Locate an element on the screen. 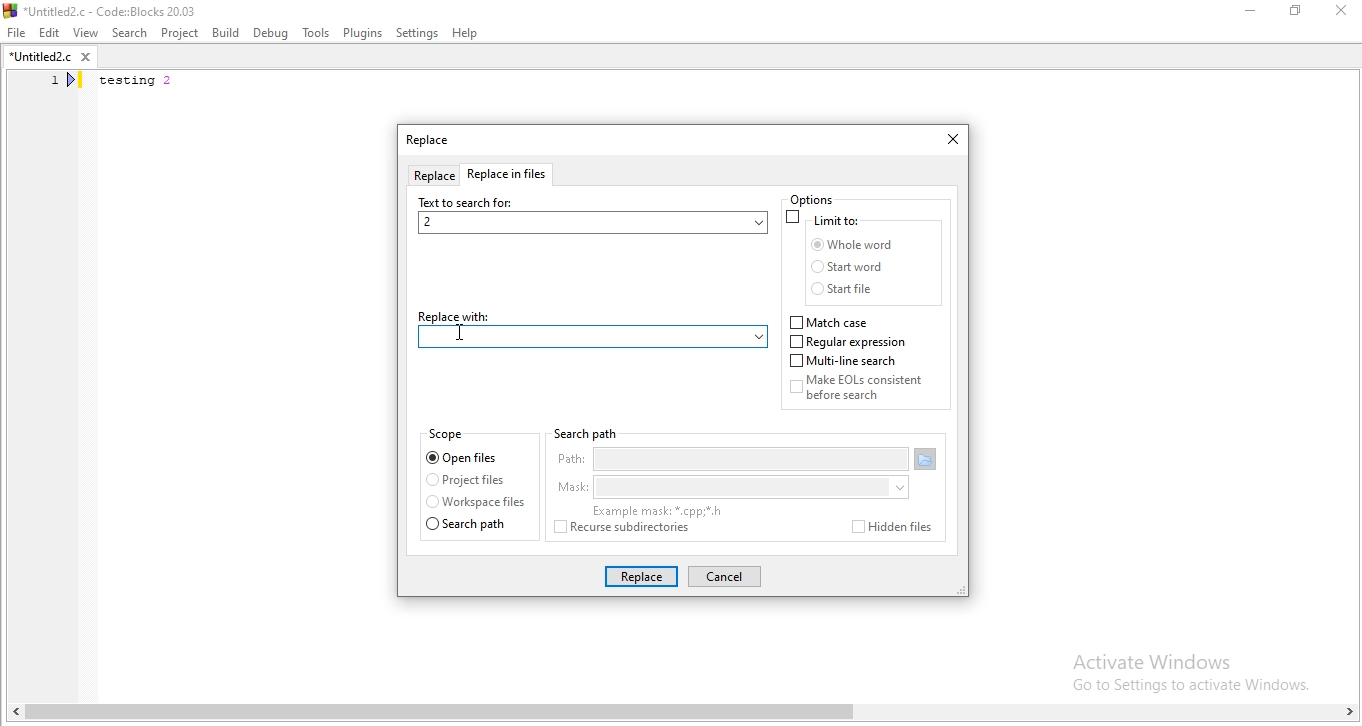 Image resolution: width=1362 pixels, height=726 pixels. text to search for is located at coordinates (467, 202).